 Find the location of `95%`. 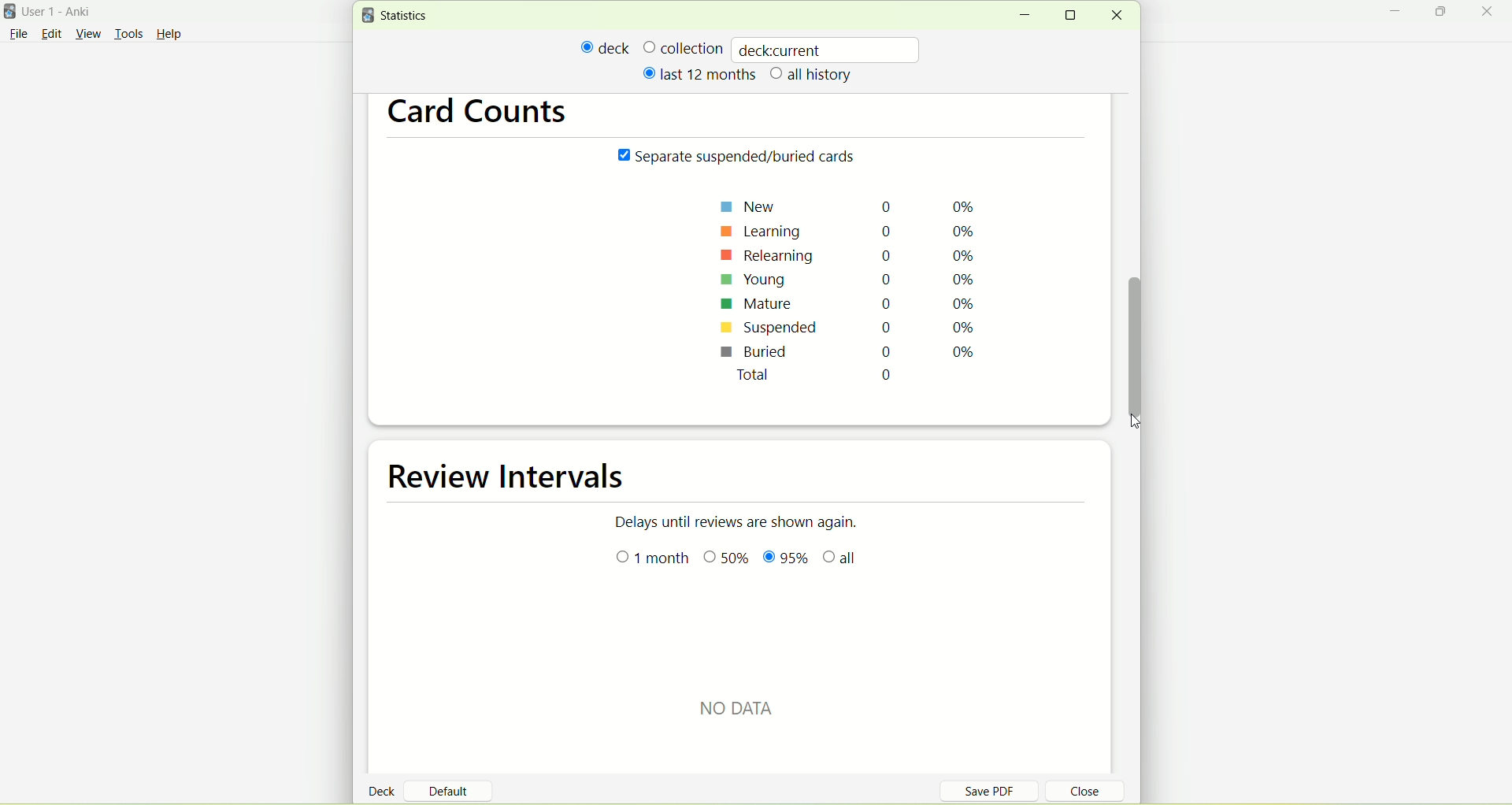

95% is located at coordinates (785, 559).